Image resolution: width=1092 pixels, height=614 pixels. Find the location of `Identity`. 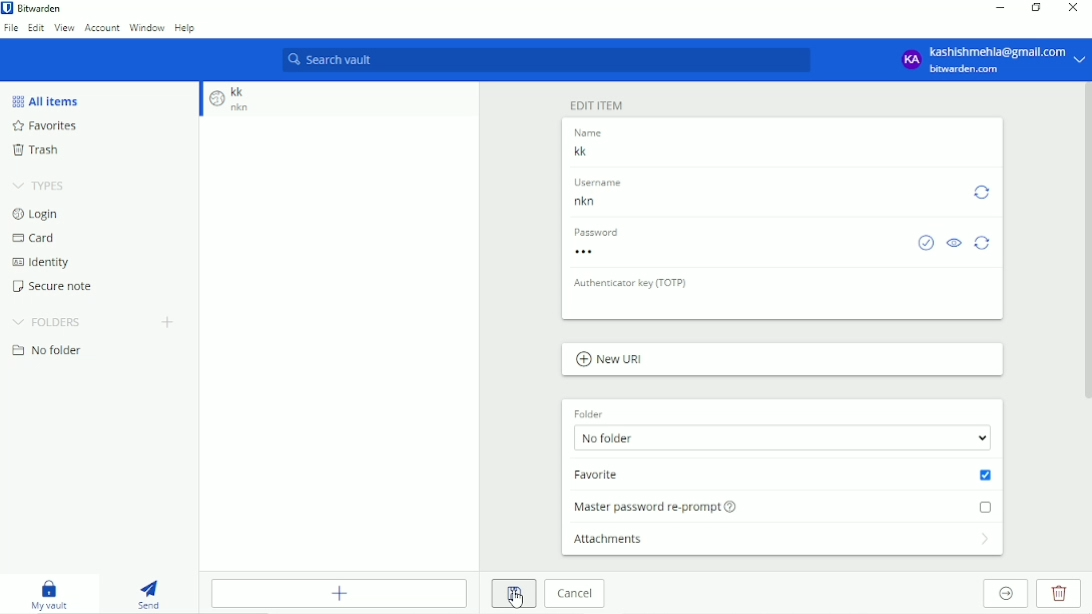

Identity is located at coordinates (40, 262).